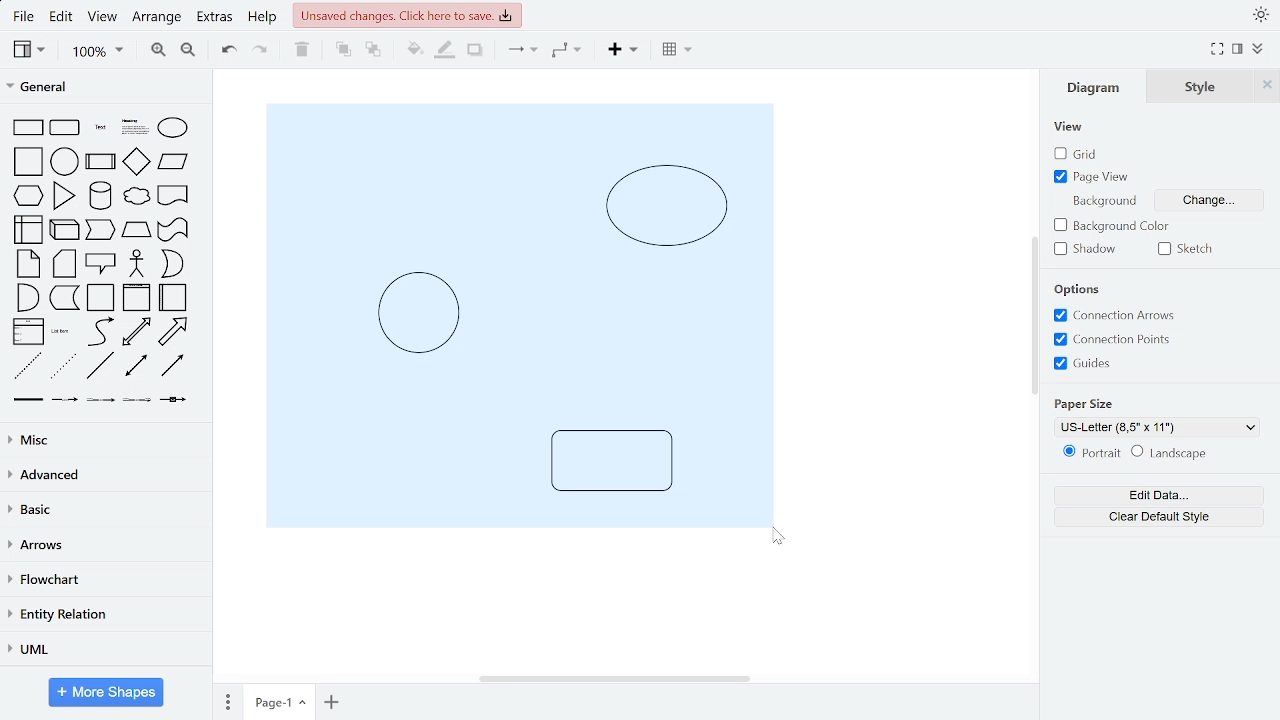 Image resolution: width=1280 pixels, height=720 pixels. Describe the element at coordinates (1095, 177) in the screenshot. I see `page view` at that location.